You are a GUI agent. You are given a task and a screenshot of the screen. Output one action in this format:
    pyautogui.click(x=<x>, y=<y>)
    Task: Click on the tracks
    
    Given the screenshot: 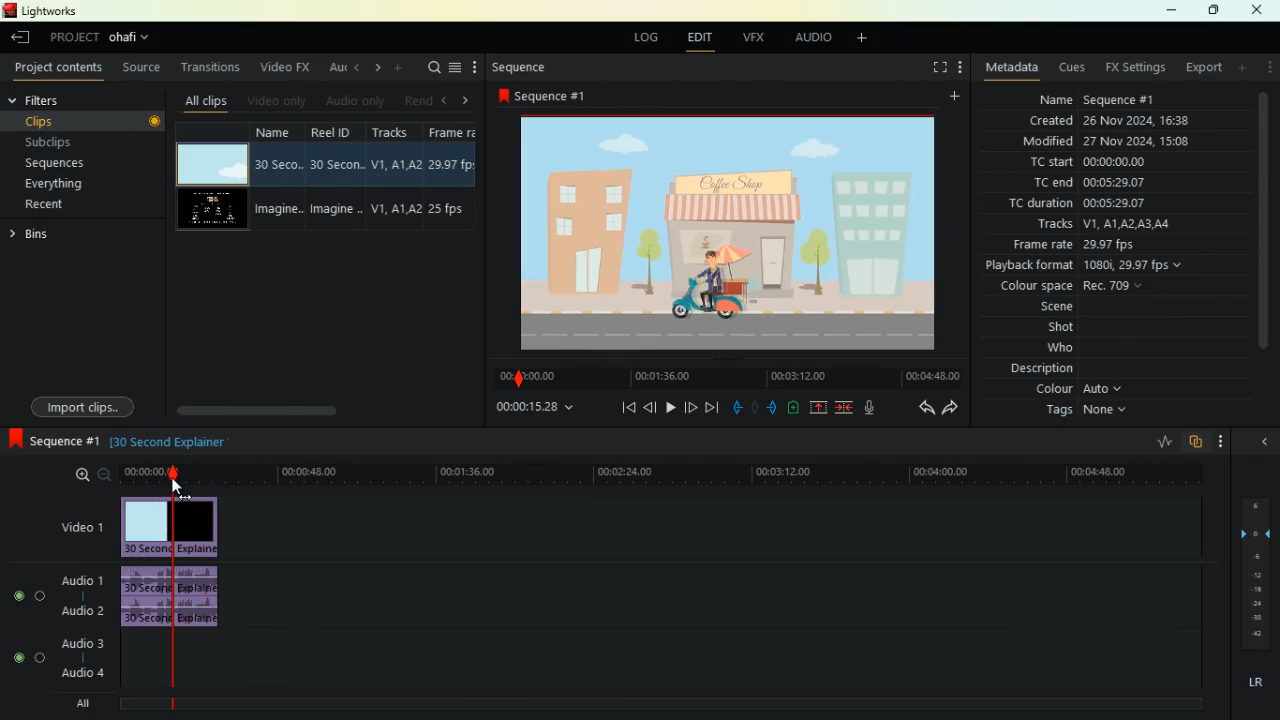 What is the action you would take?
    pyautogui.click(x=1057, y=225)
    